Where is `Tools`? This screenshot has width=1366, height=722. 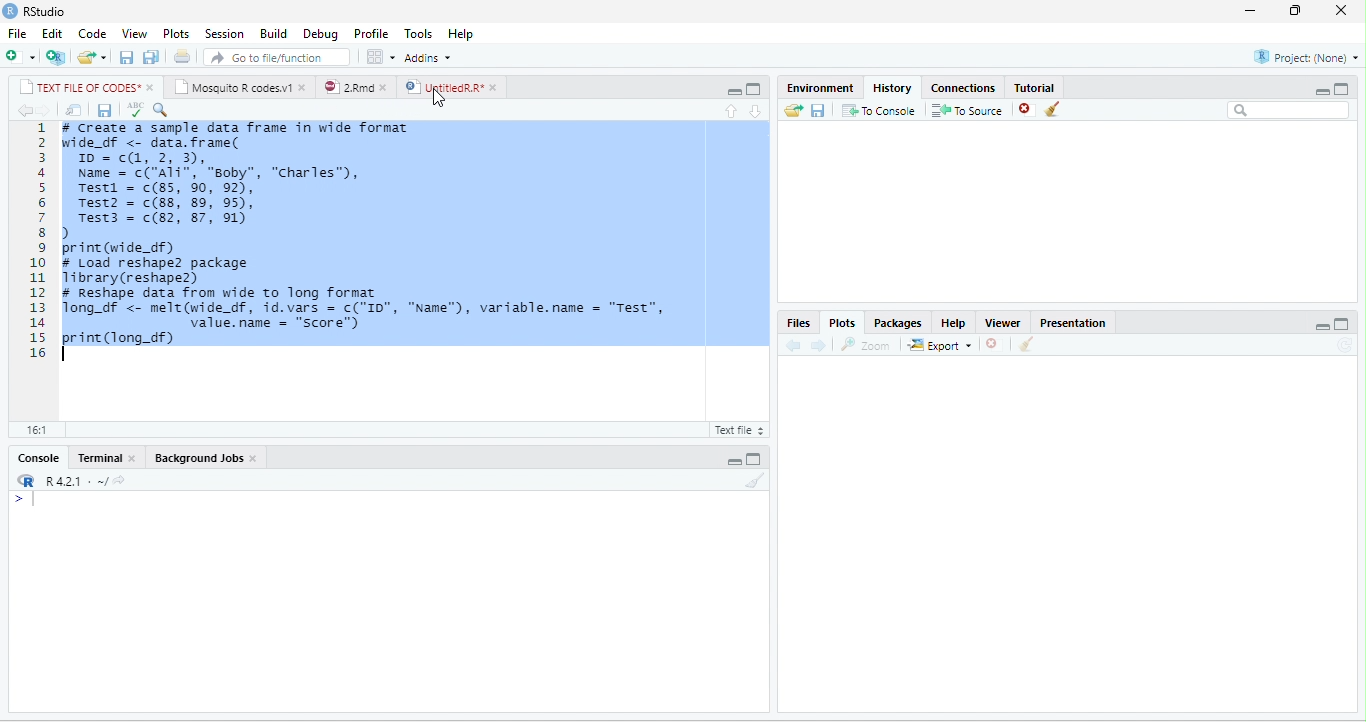 Tools is located at coordinates (419, 35).